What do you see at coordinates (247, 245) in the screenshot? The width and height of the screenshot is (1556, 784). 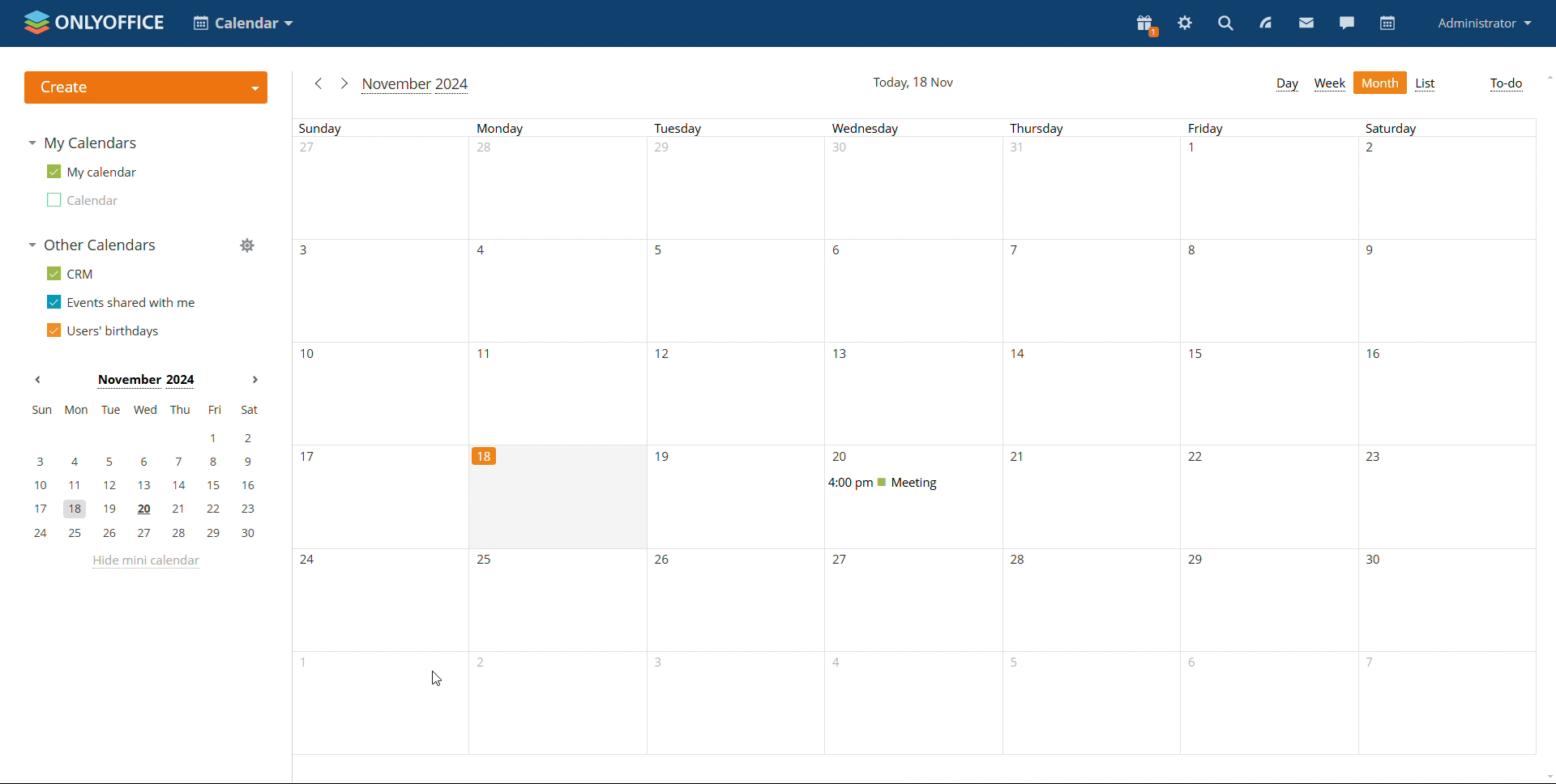 I see `manage` at bounding box center [247, 245].